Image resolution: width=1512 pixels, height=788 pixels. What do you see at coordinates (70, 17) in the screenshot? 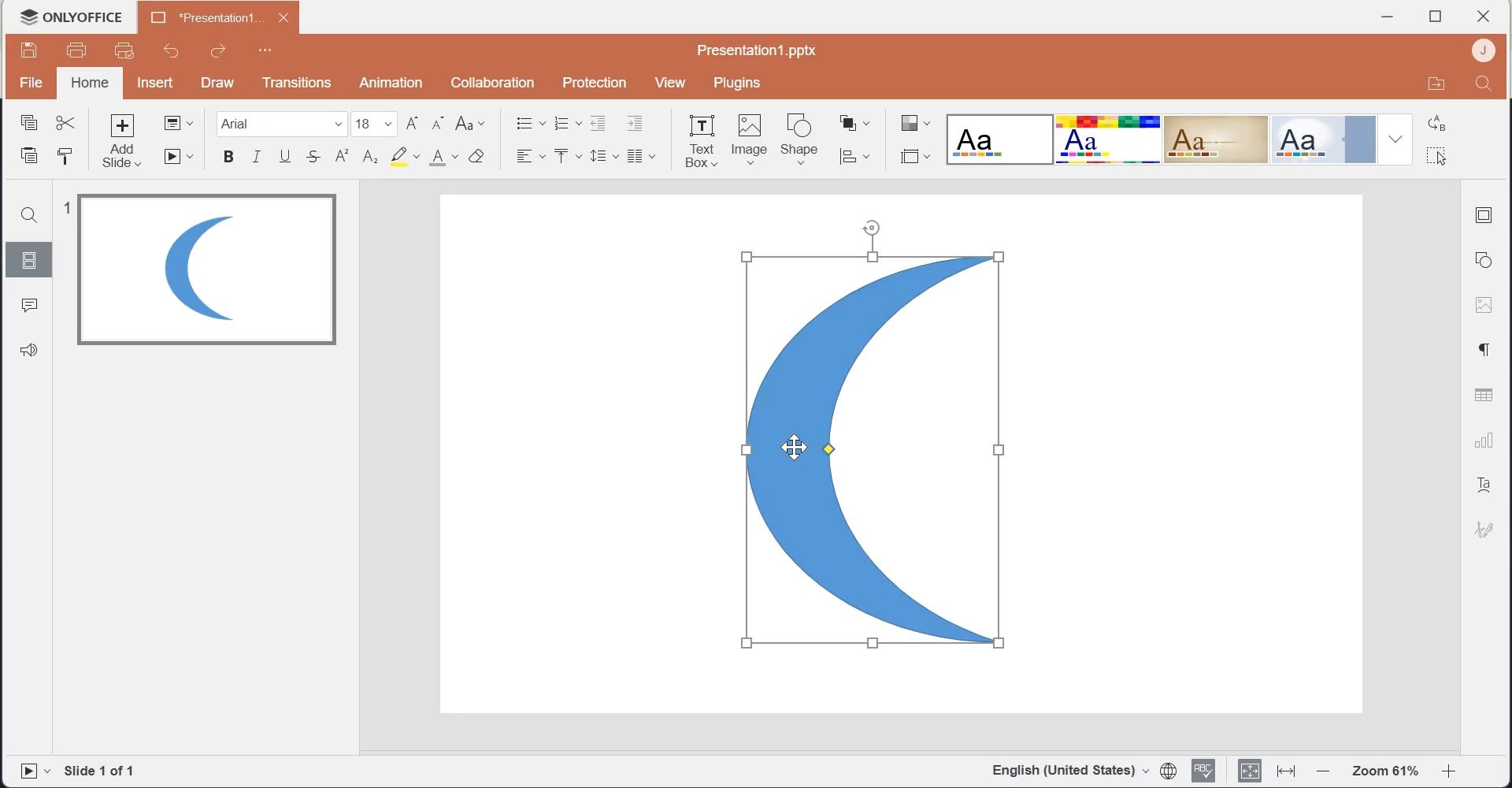
I see `Logo` at bounding box center [70, 17].